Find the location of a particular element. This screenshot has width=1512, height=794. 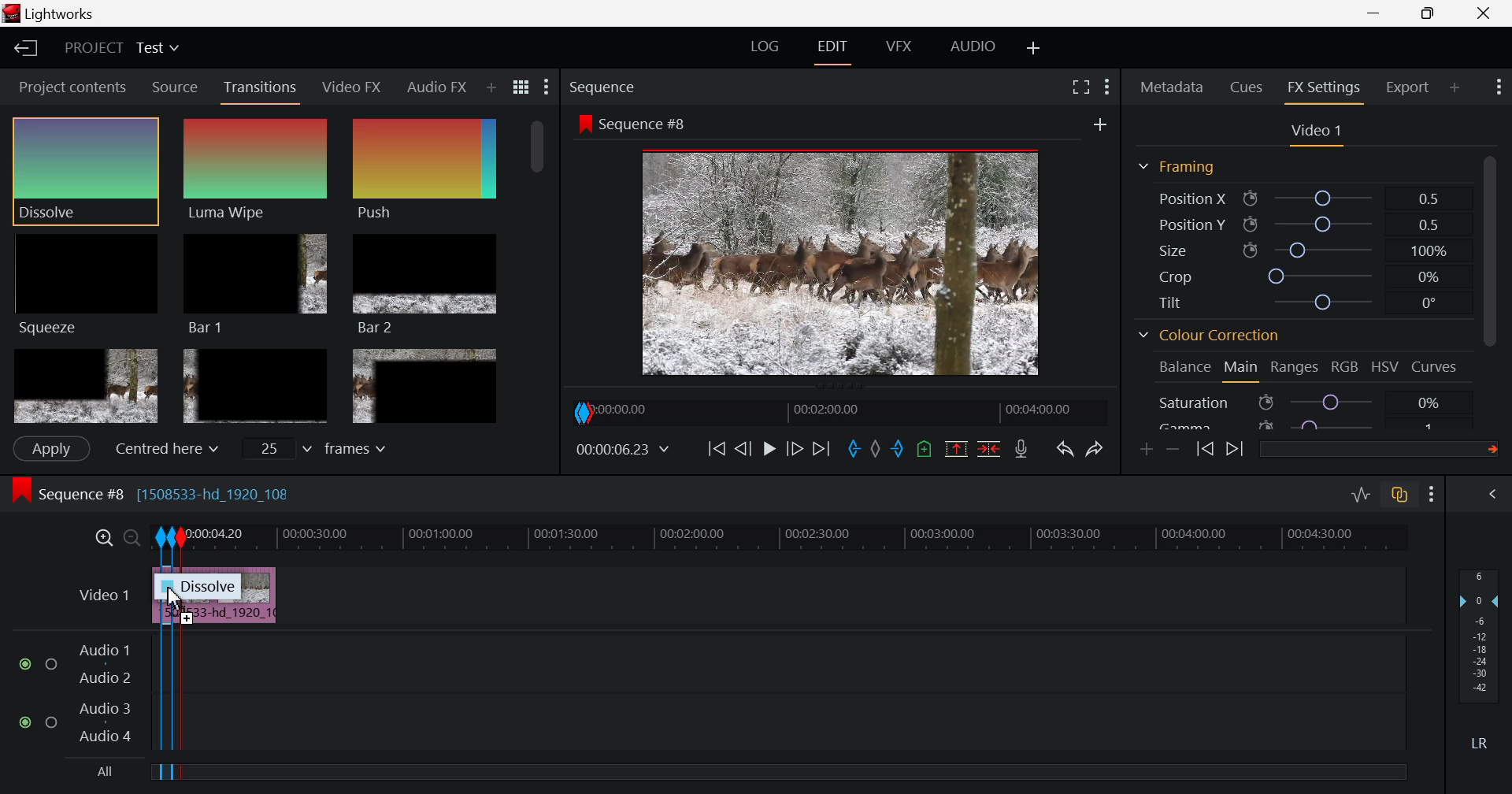

In mark is located at coordinates (851, 450).